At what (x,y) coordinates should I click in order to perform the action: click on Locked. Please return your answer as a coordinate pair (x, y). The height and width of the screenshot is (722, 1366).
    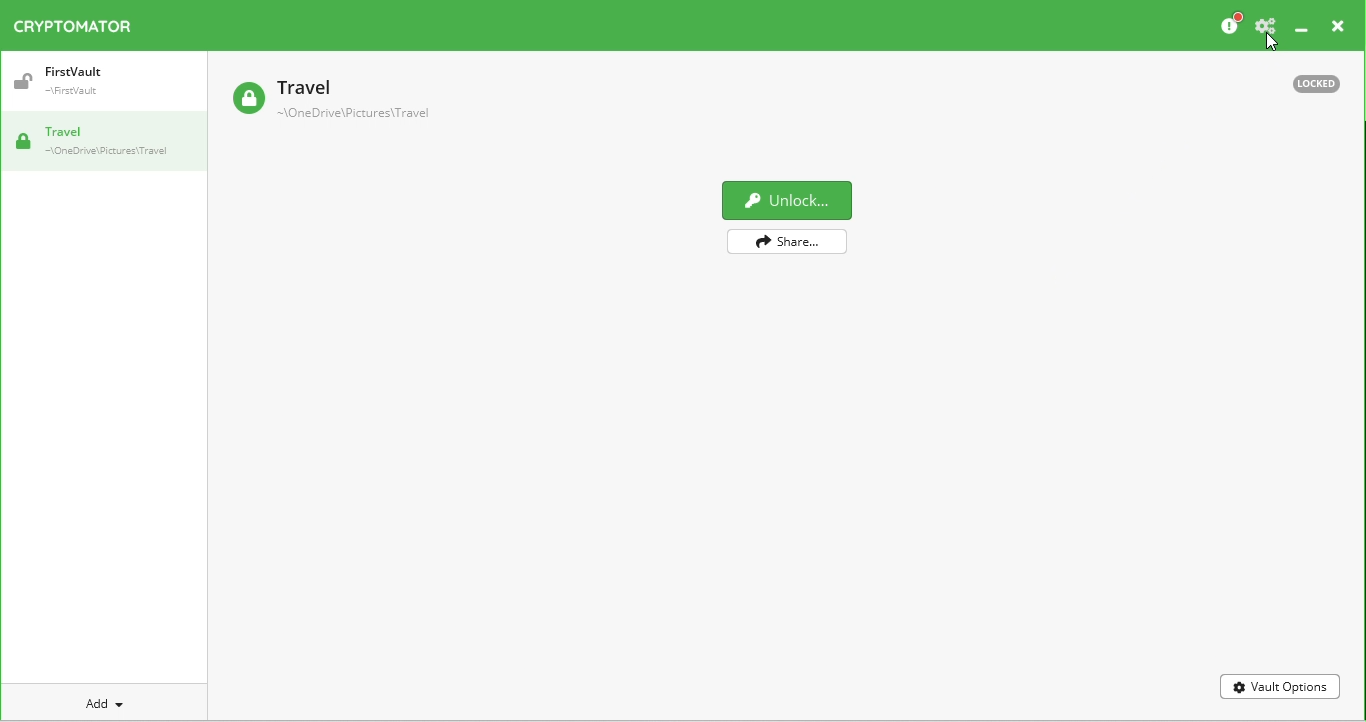
    Looking at the image, I should click on (1317, 86).